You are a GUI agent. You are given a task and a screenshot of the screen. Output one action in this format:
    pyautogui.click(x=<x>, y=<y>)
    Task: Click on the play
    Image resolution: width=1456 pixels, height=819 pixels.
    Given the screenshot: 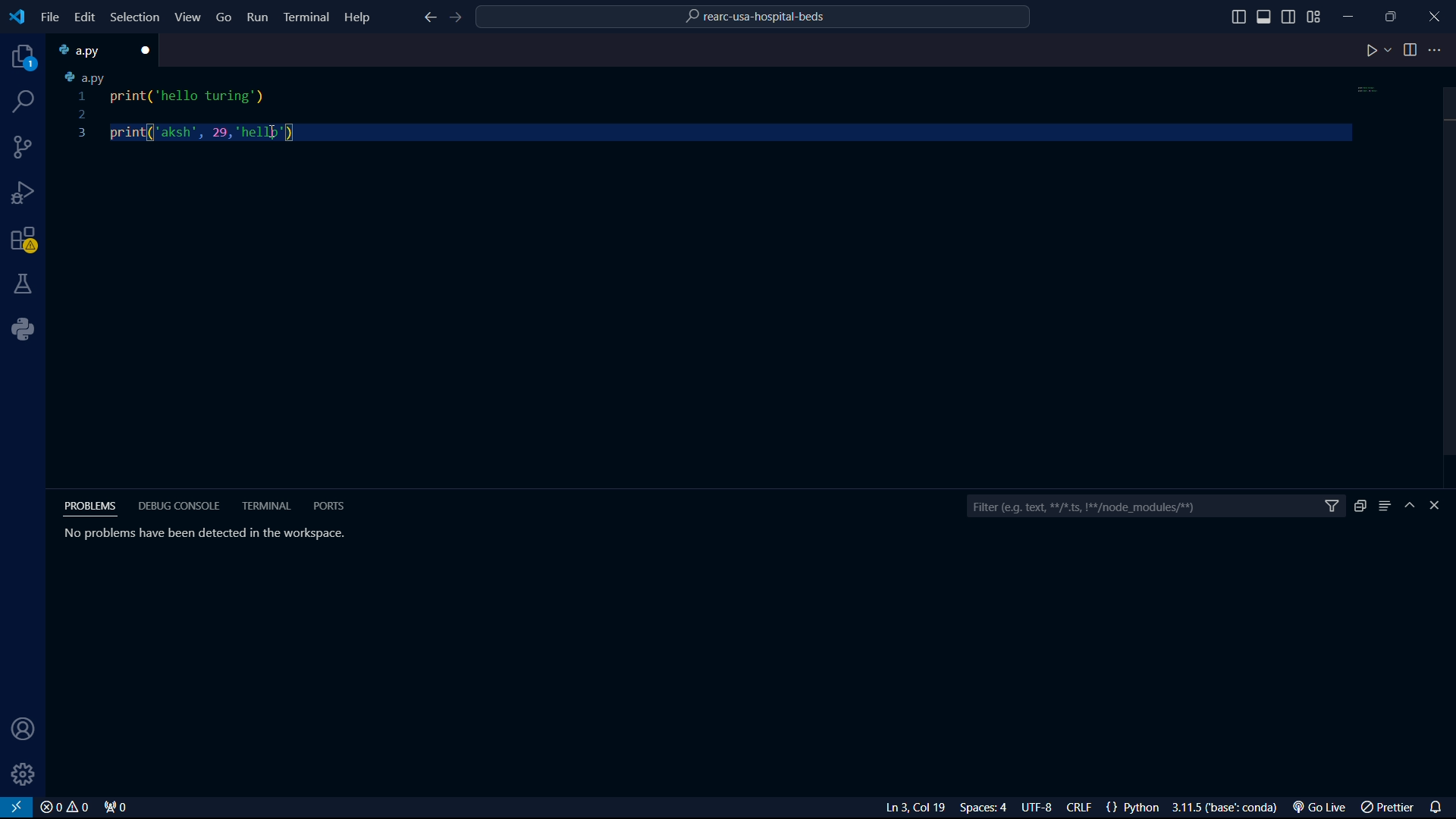 What is the action you would take?
    pyautogui.click(x=1378, y=52)
    